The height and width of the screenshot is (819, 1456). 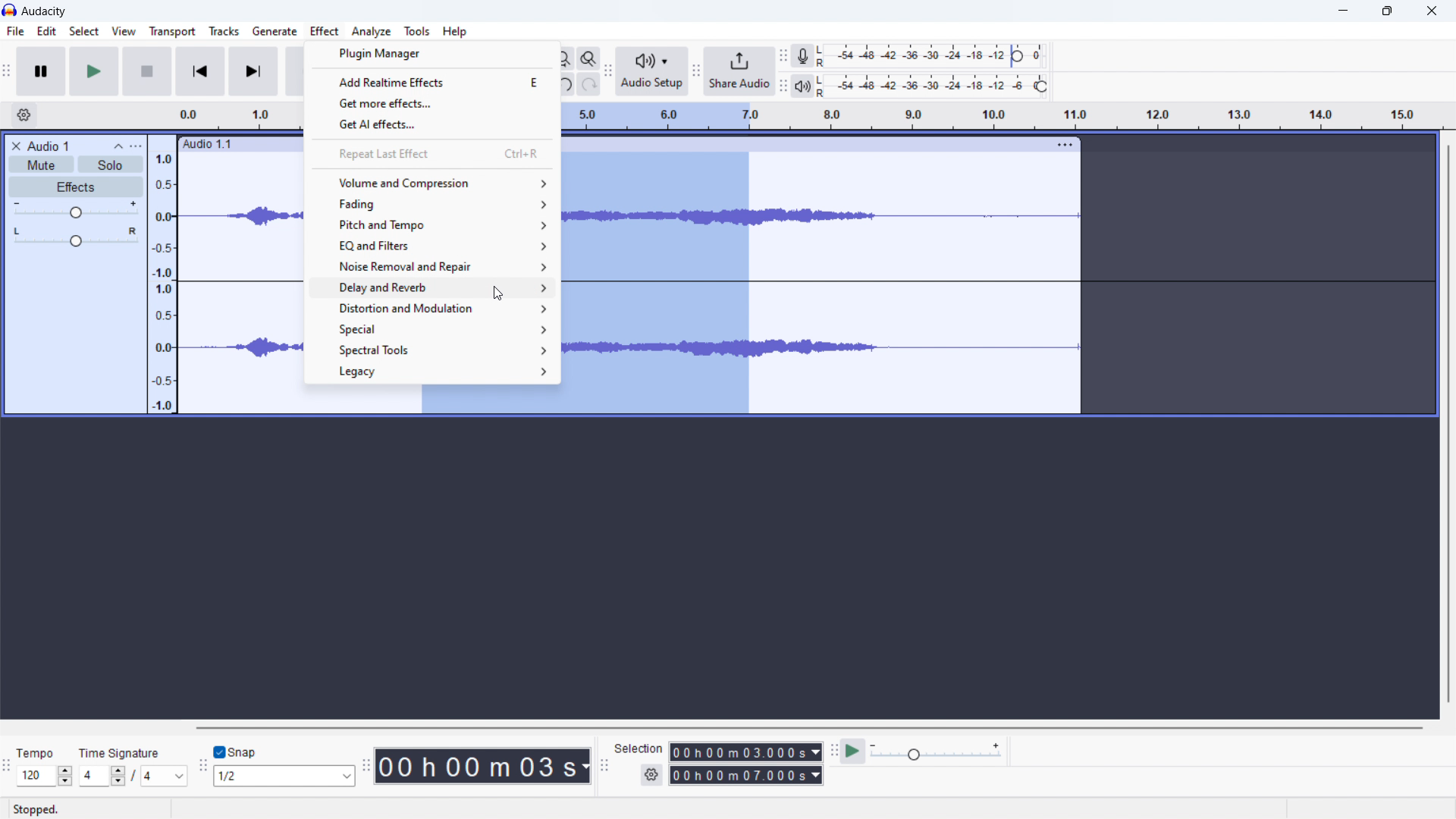 I want to click on maximize, so click(x=1387, y=11).